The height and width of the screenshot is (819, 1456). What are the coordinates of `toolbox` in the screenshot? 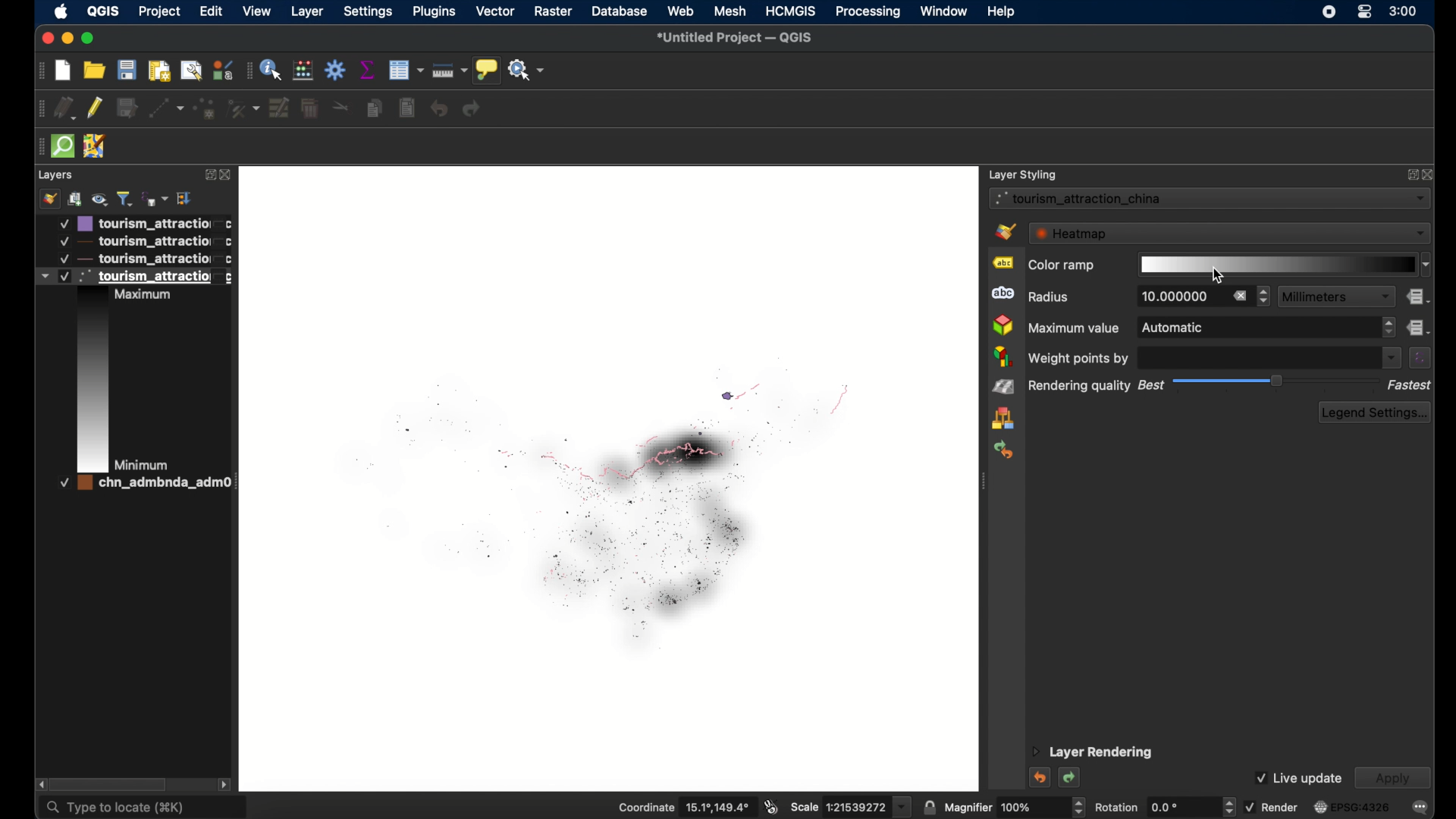 It's located at (336, 71).